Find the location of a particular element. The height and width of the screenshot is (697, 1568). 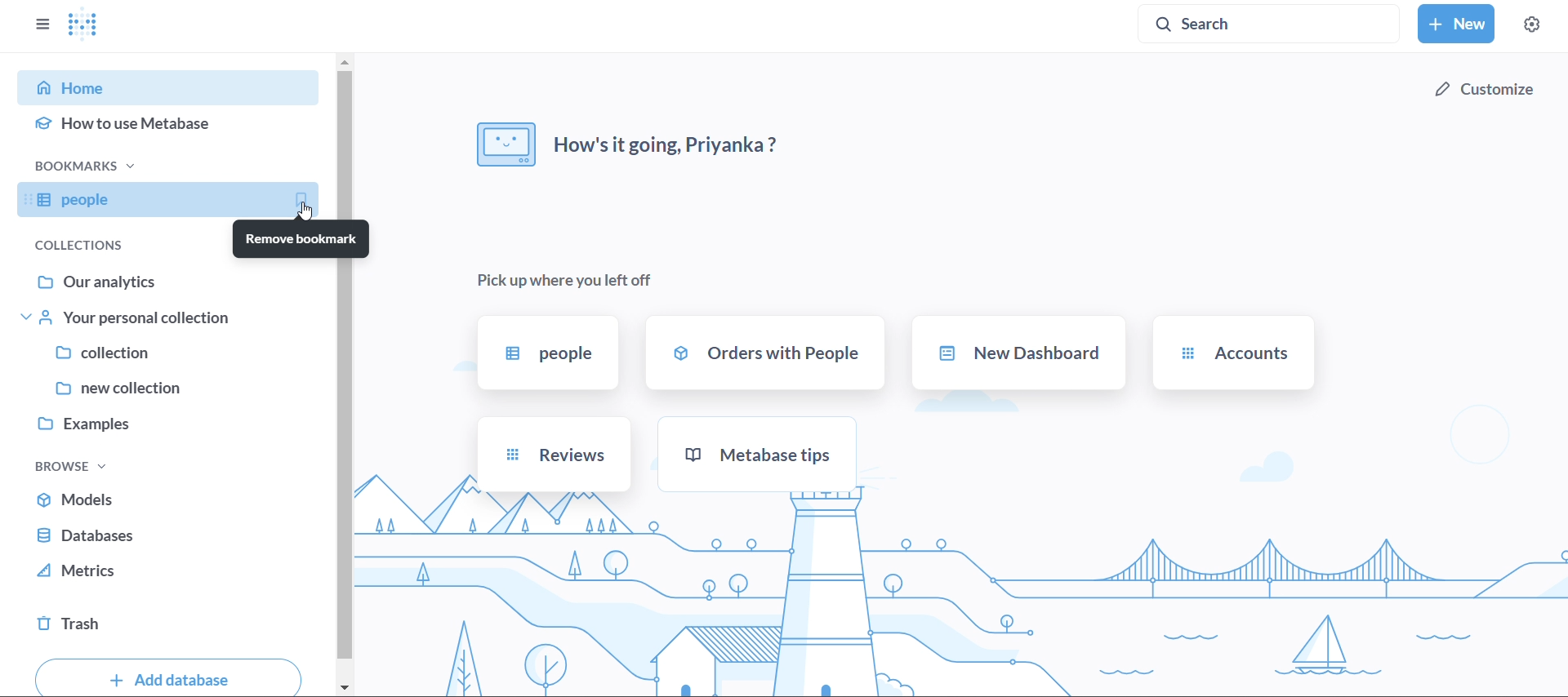

search is located at coordinates (1270, 24).